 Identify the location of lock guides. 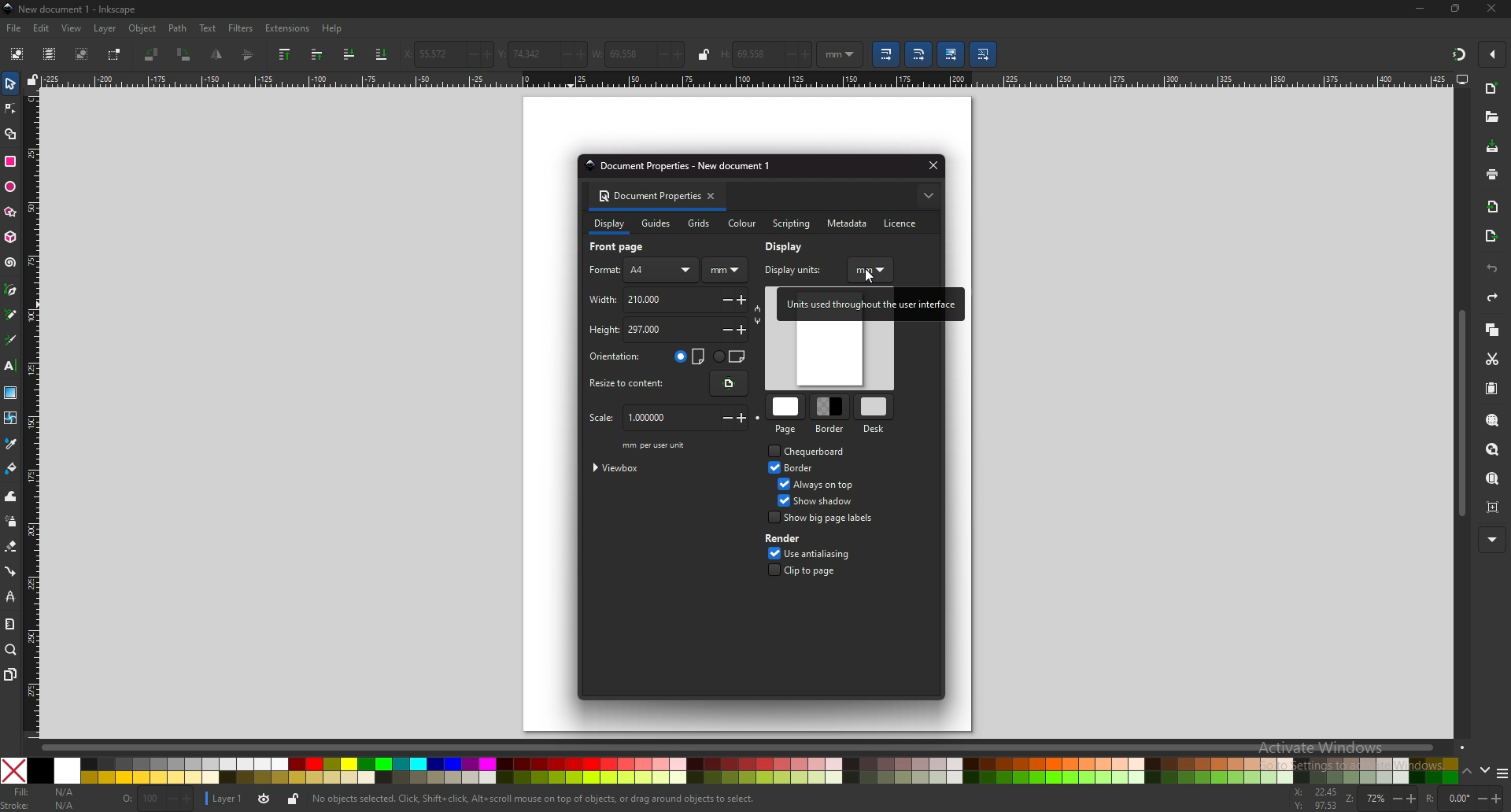
(32, 80).